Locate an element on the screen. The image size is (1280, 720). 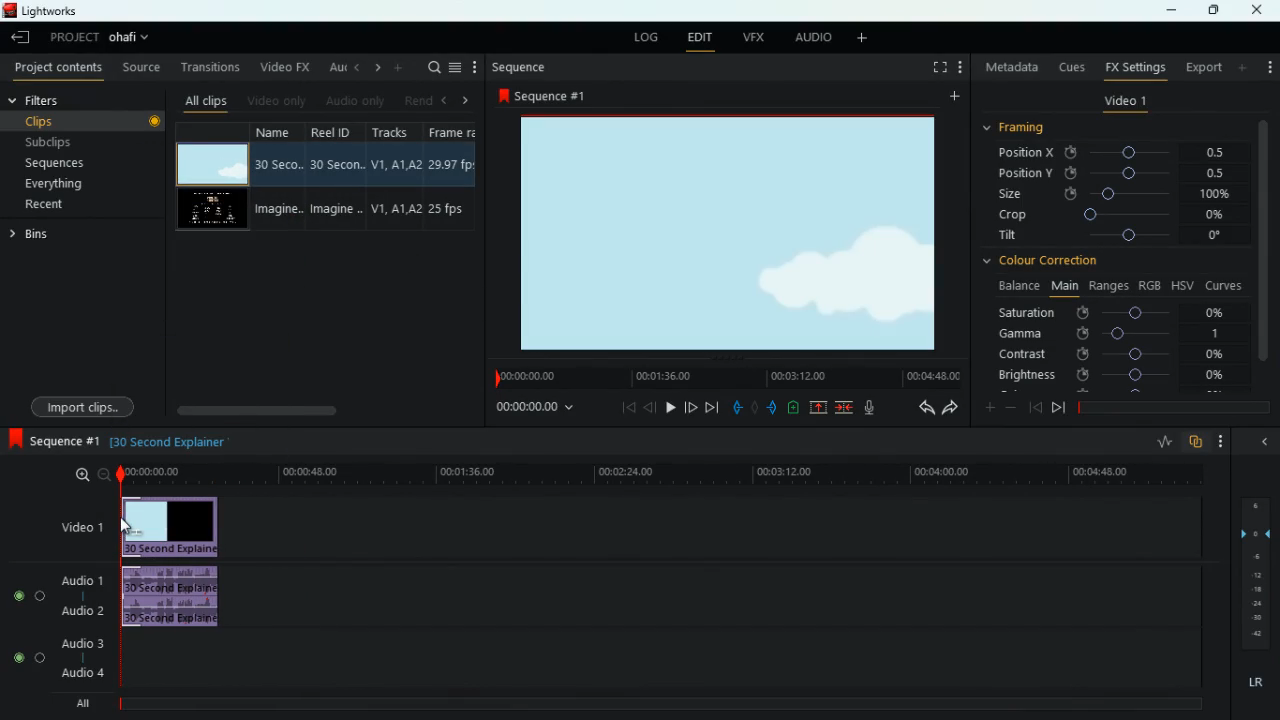
Lightworks logo is located at coordinates (10, 11).